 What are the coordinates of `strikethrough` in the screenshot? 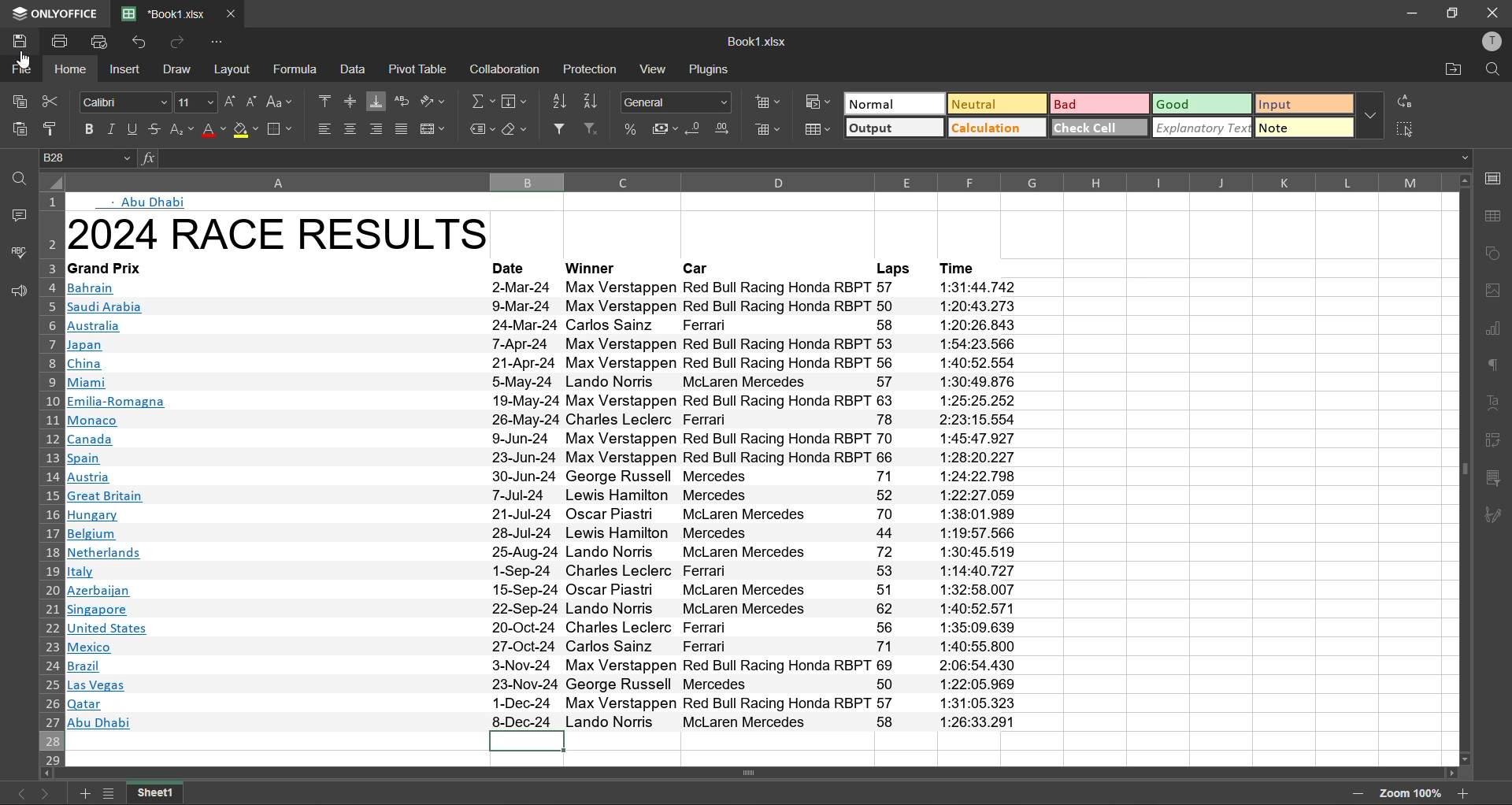 It's located at (156, 129).